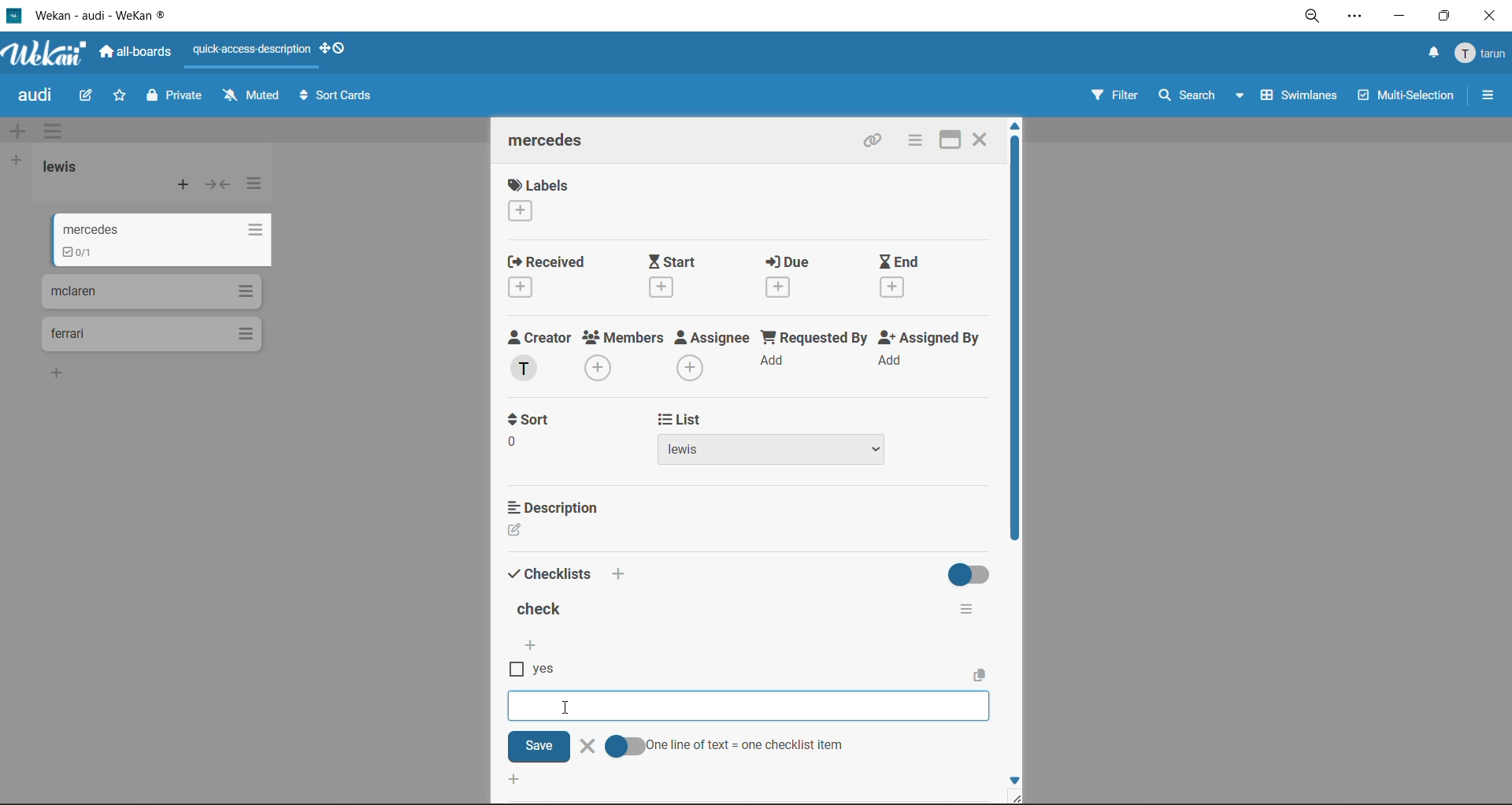  What do you see at coordinates (17, 132) in the screenshot?
I see `add swimlane` at bounding box center [17, 132].